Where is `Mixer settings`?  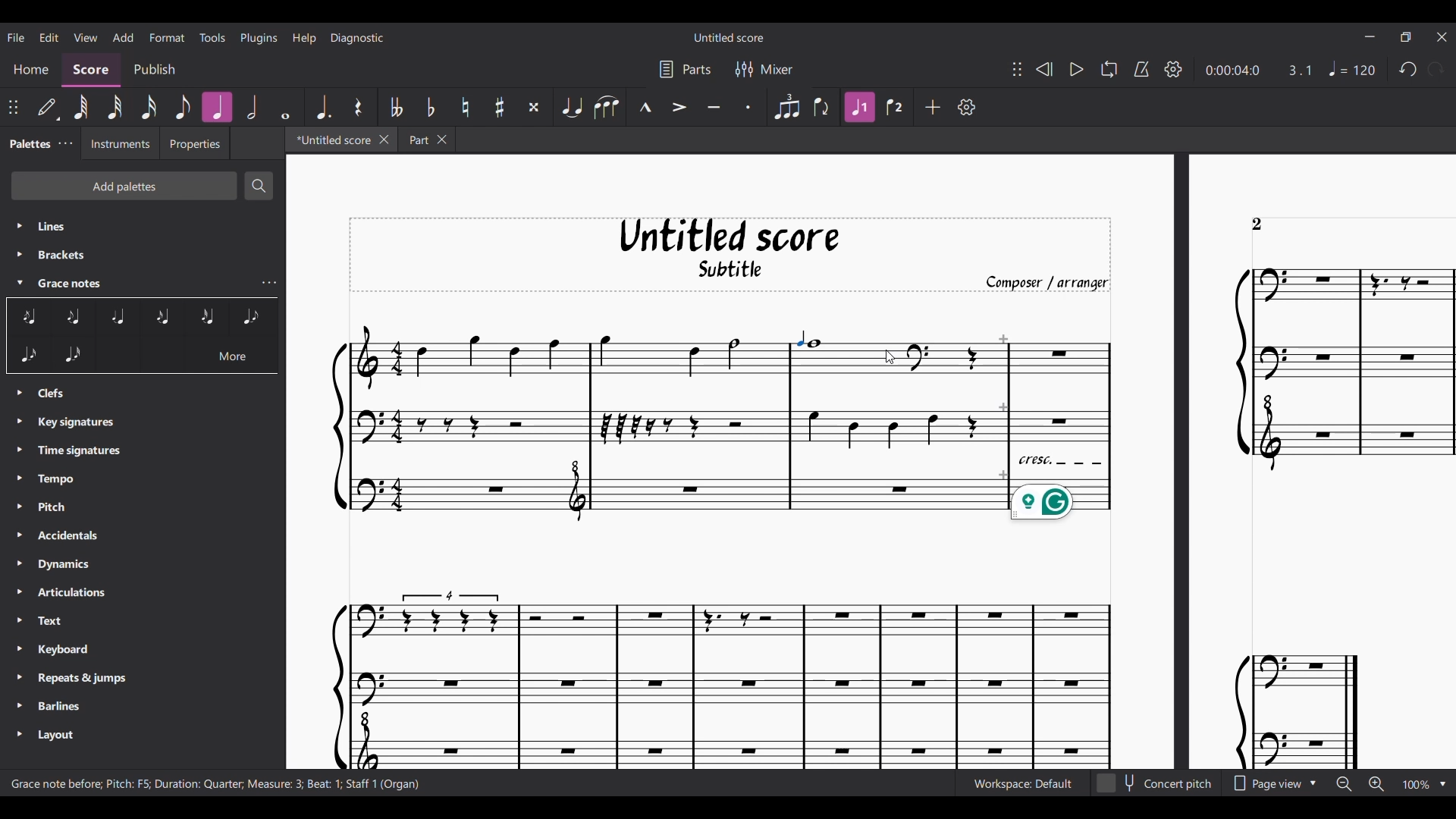
Mixer settings is located at coordinates (764, 69).